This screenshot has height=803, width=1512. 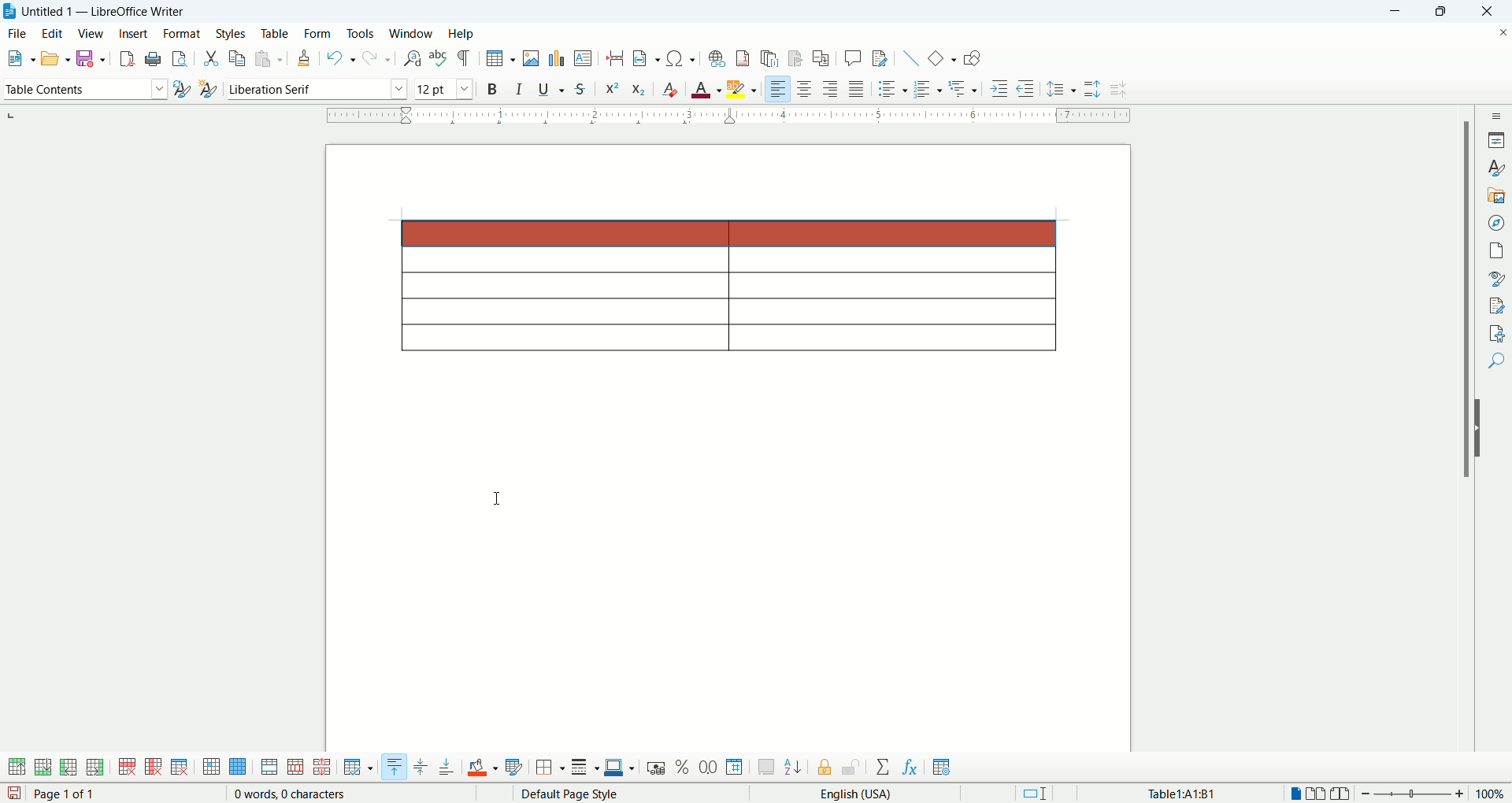 I want to click on ordered list, so click(x=926, y=88).